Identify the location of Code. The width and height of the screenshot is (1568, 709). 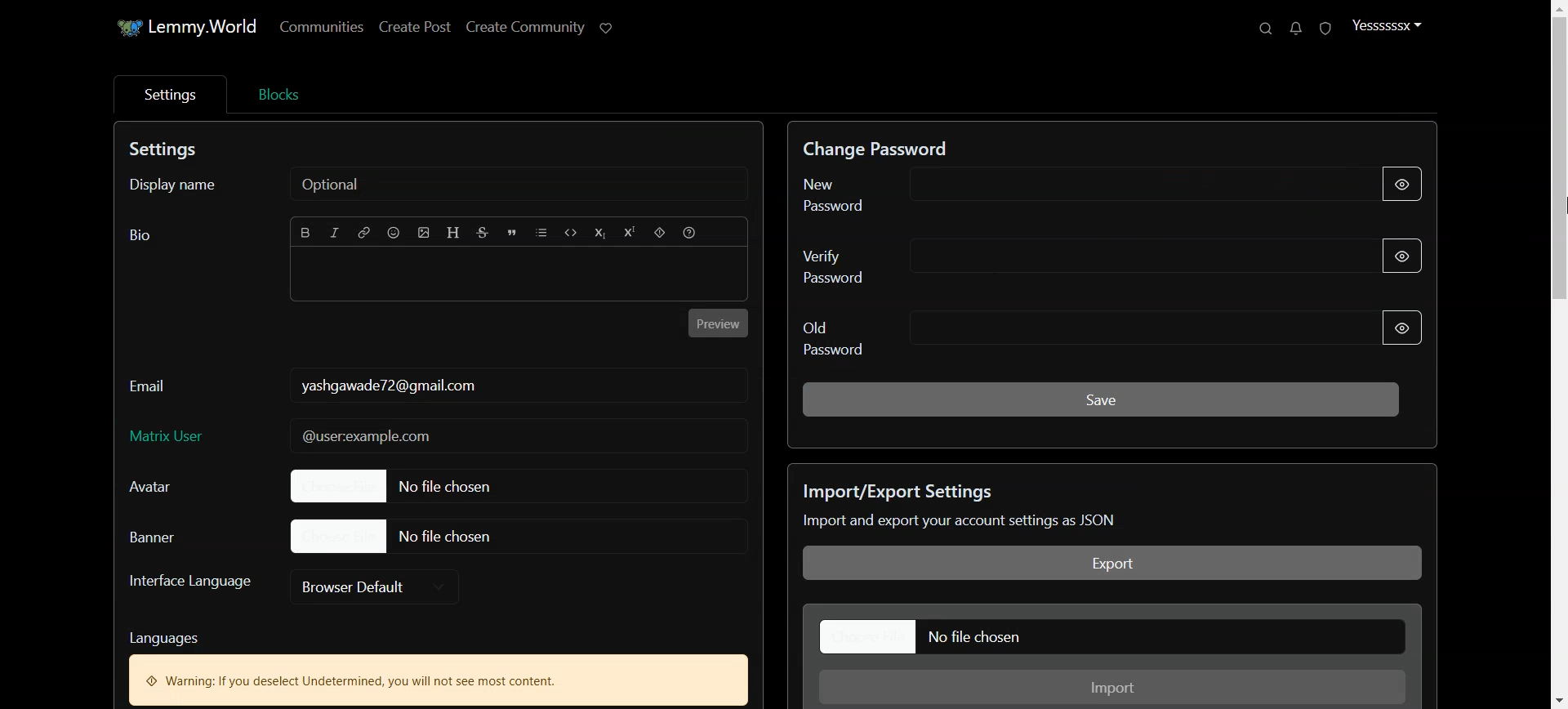
(572, 233).